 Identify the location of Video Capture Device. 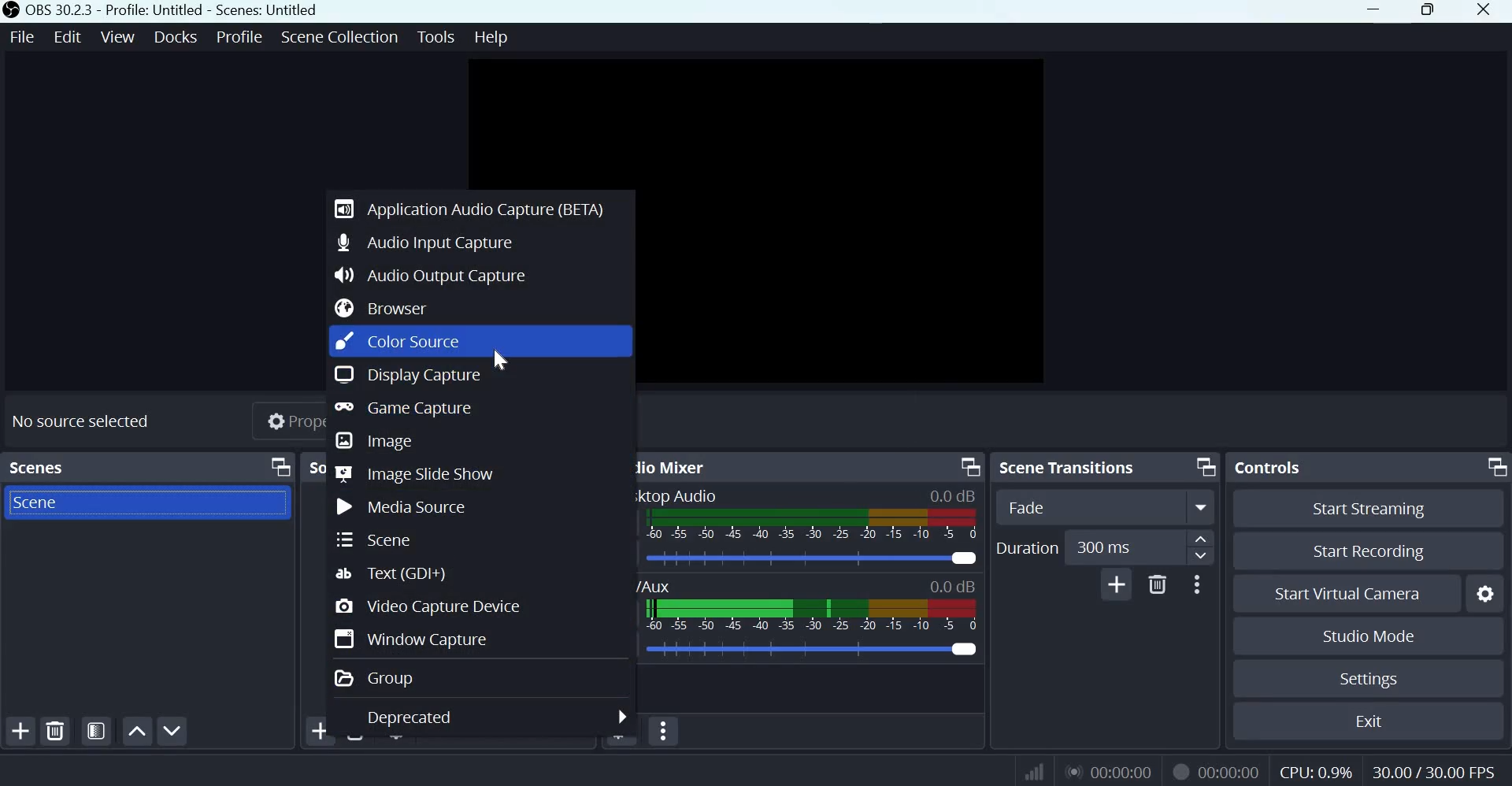
(429, 609).